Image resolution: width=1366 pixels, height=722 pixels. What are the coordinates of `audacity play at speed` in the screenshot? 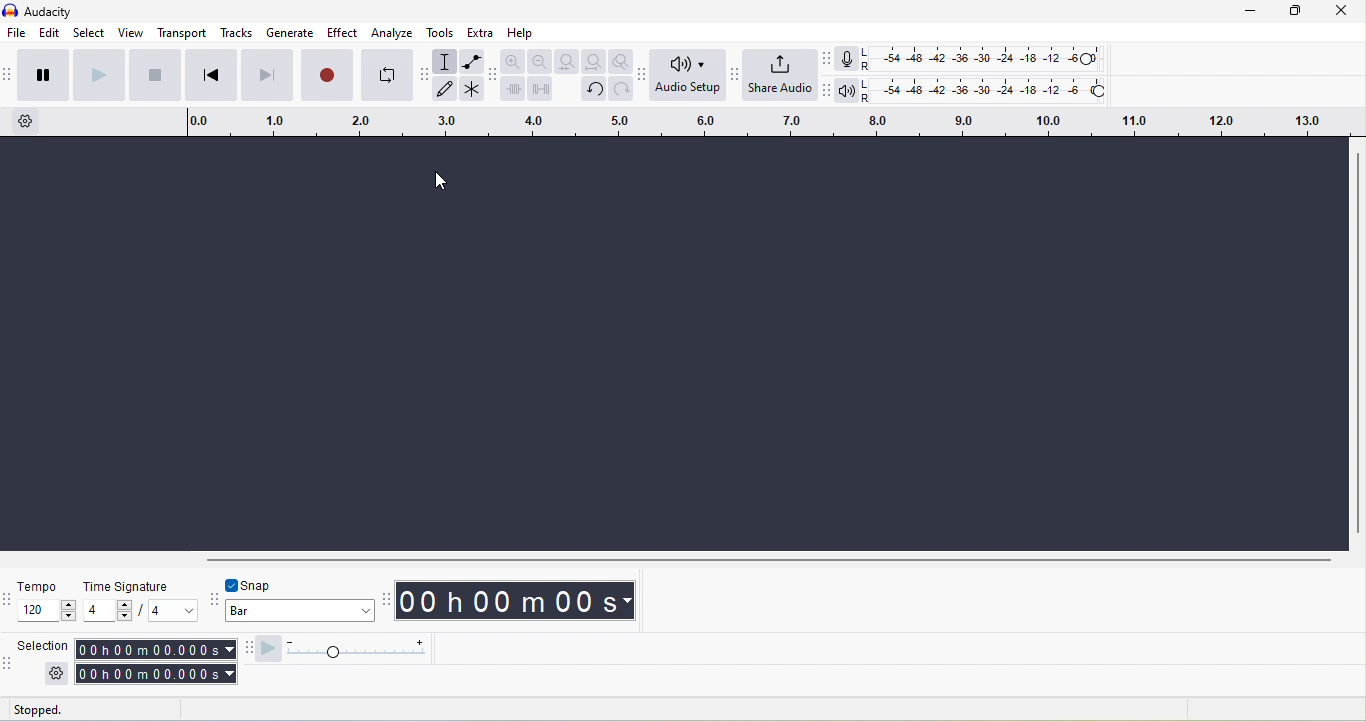 It's located at (250, 647).